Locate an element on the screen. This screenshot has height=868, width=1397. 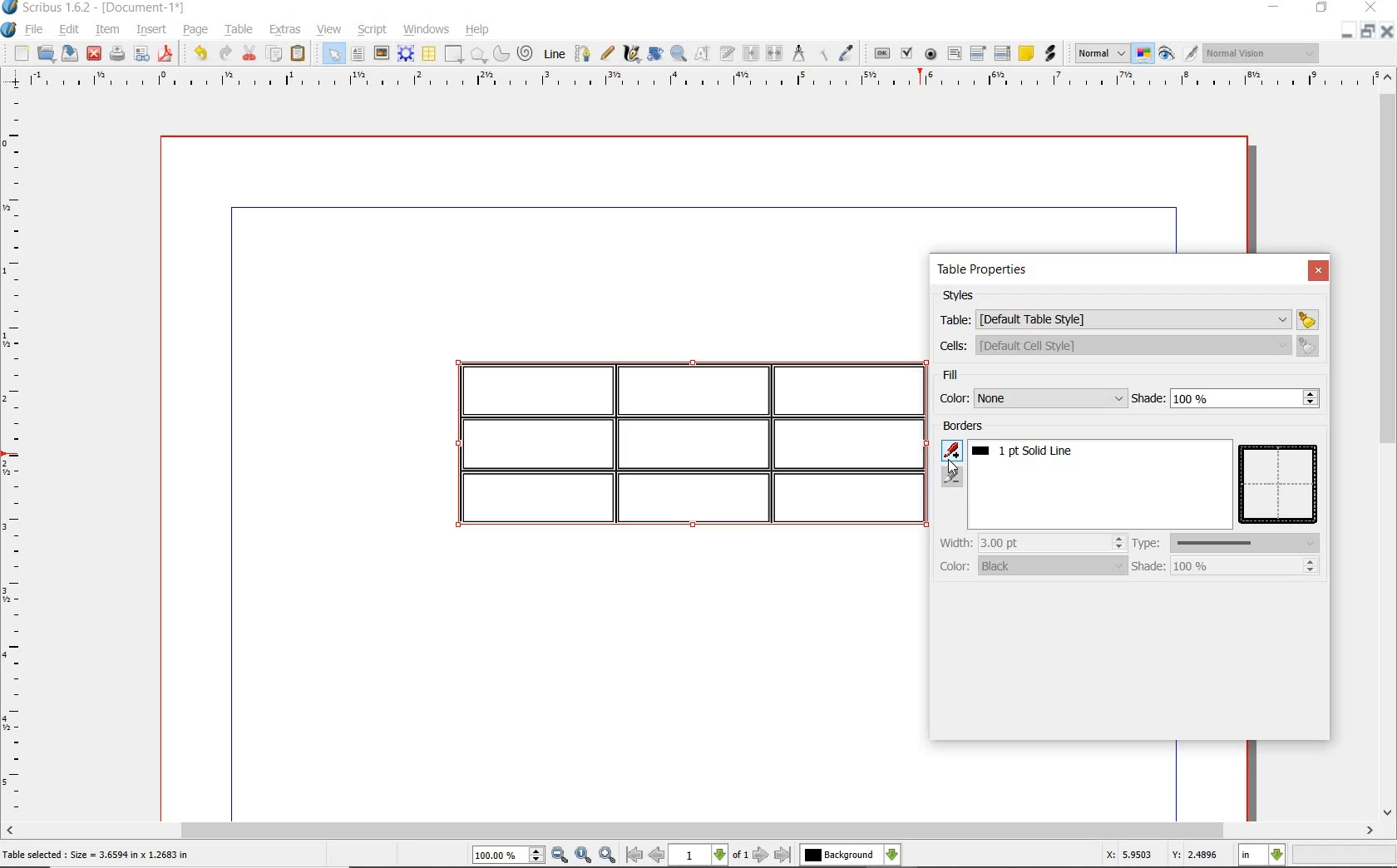
zoom in and out is located at coordinates (679, 54).